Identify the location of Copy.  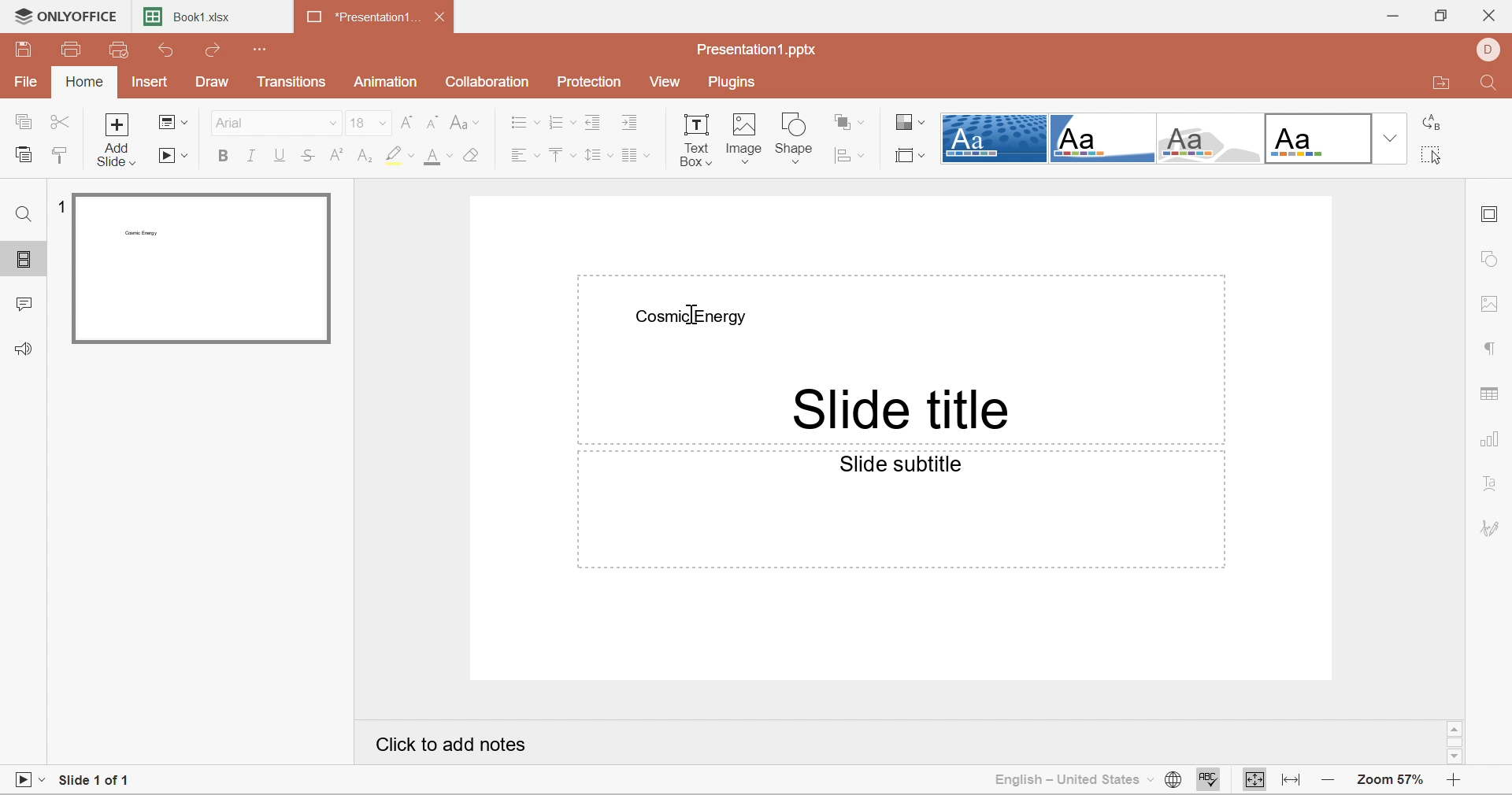
(22, 123).